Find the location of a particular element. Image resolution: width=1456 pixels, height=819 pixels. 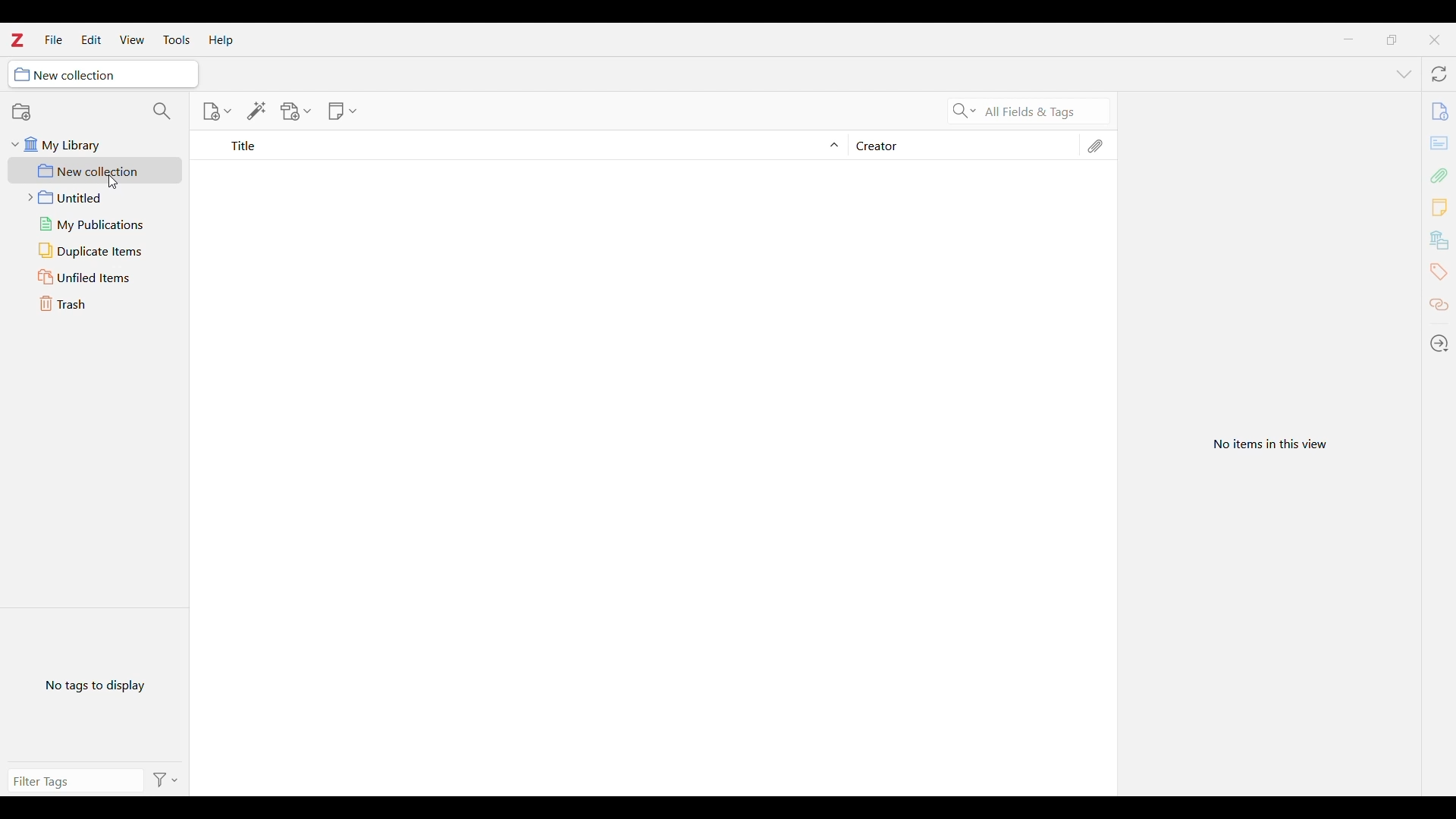

Unfiled items folder is located at coordinates (95, 277).